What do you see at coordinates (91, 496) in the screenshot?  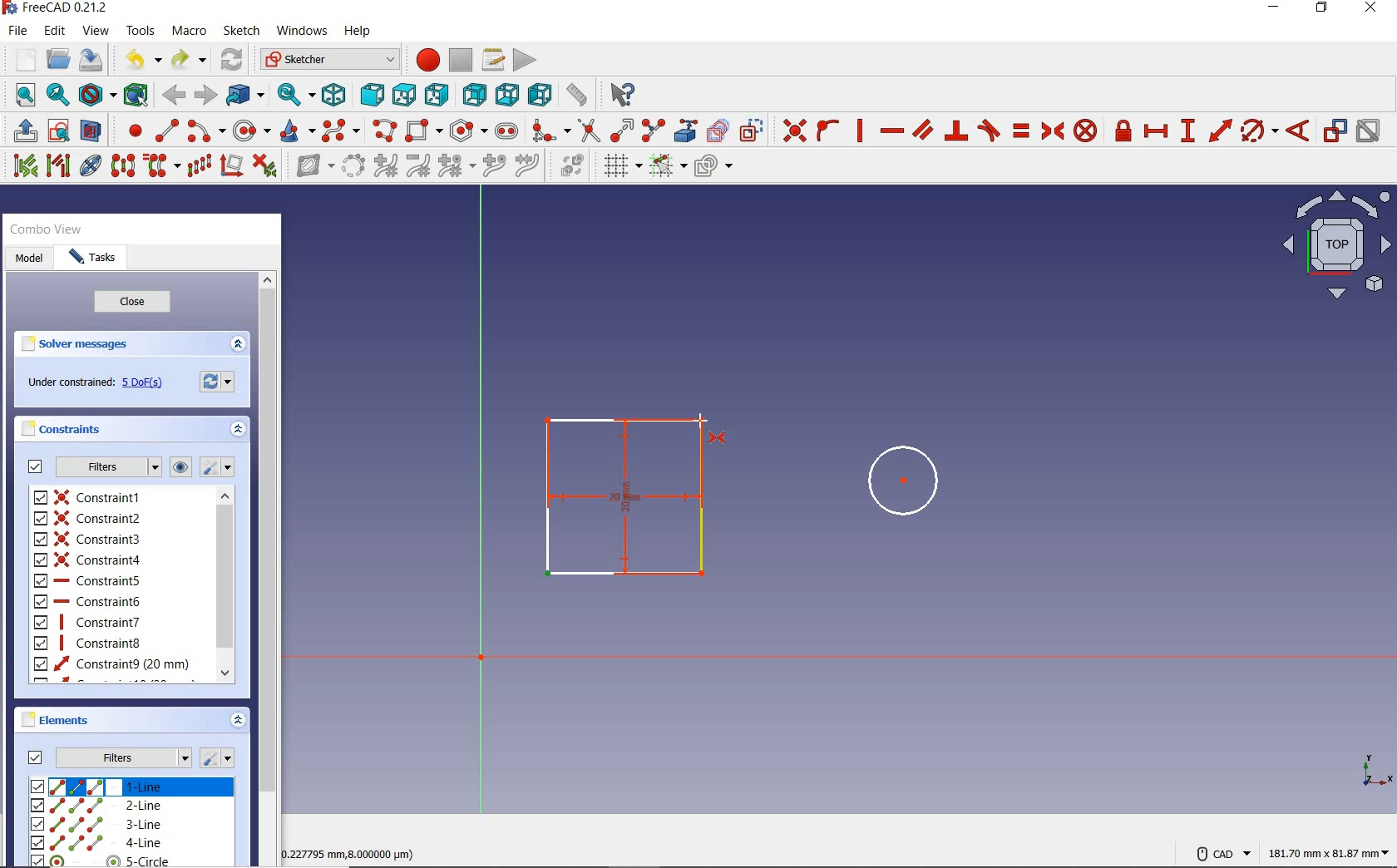 I see `constraint1` at bounding box center [91, 496].